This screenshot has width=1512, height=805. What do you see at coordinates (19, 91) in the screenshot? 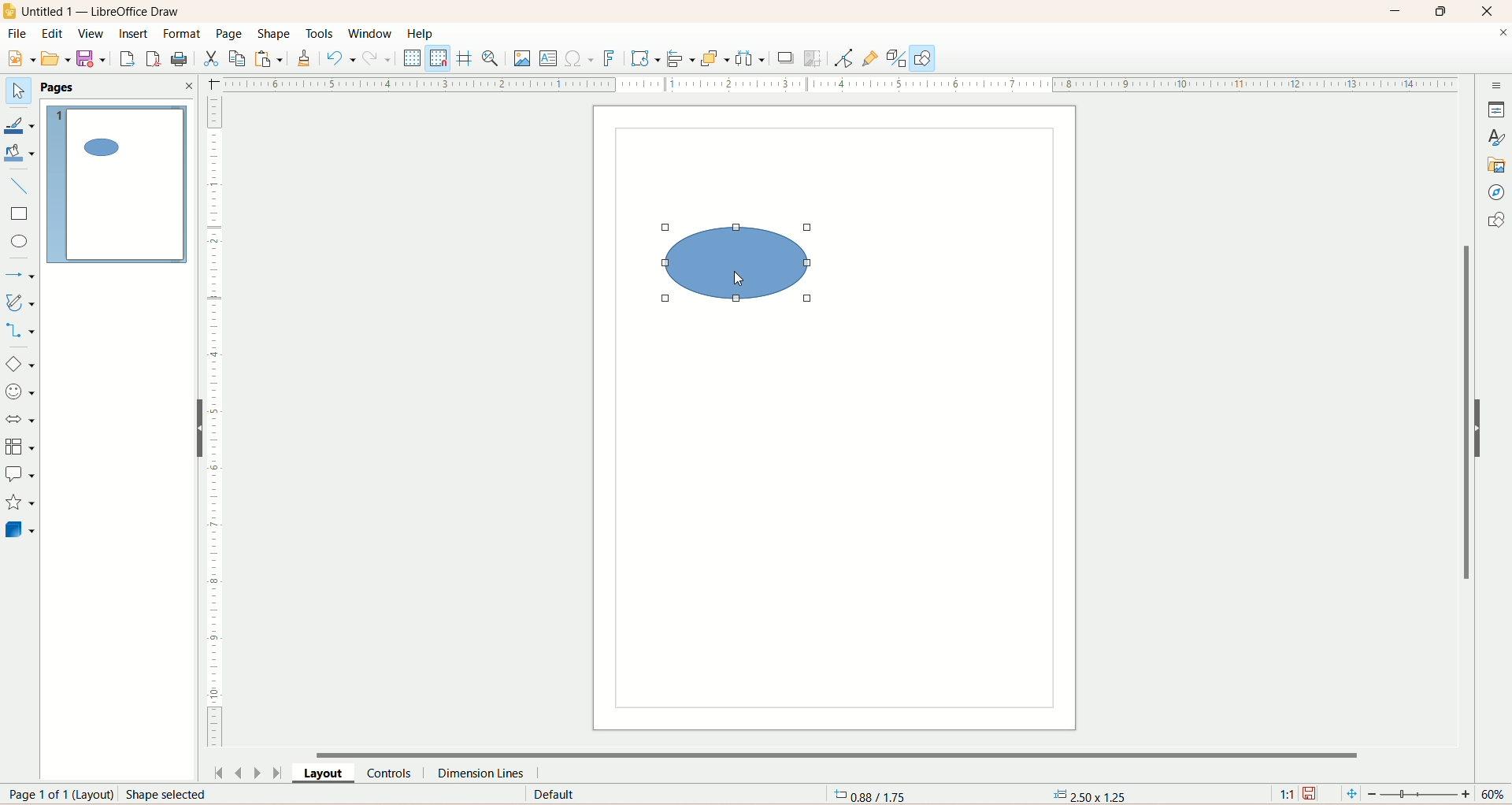
I see `select` at bounding box center [19, 91].